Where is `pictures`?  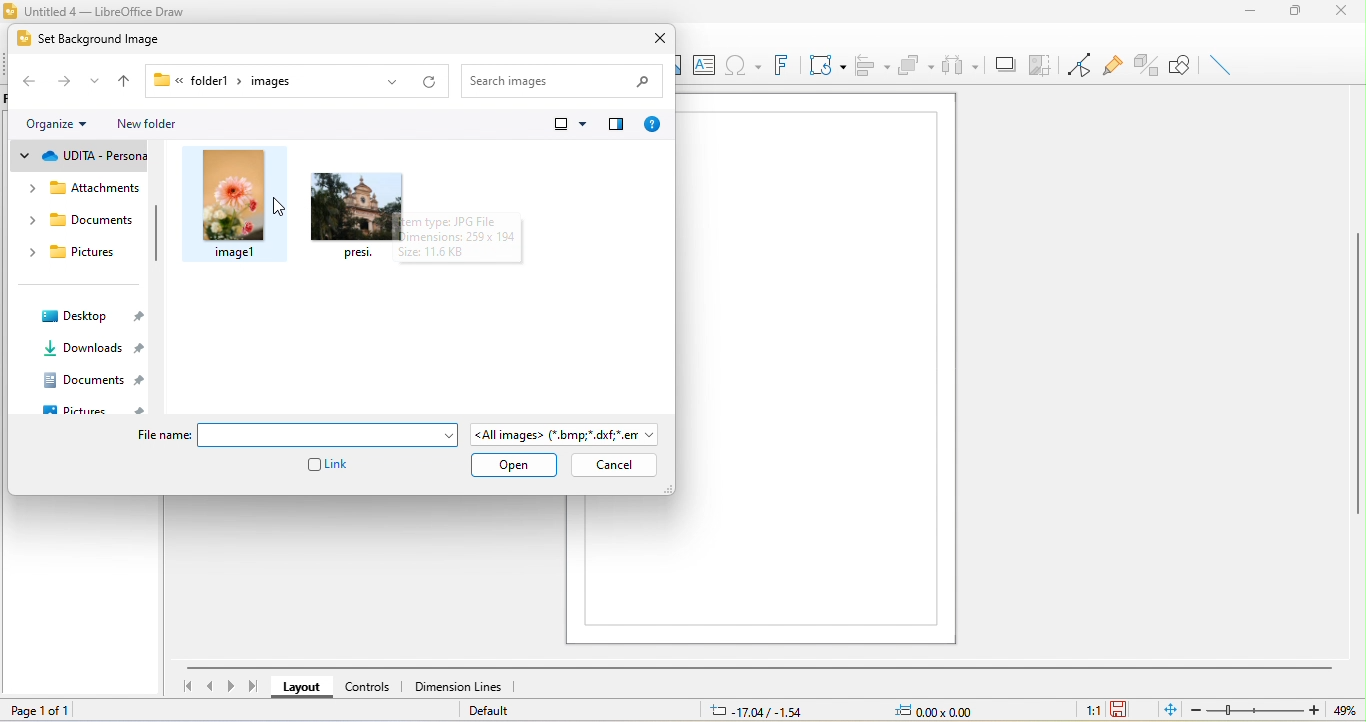
pictures is located at coordinates (101, 410).